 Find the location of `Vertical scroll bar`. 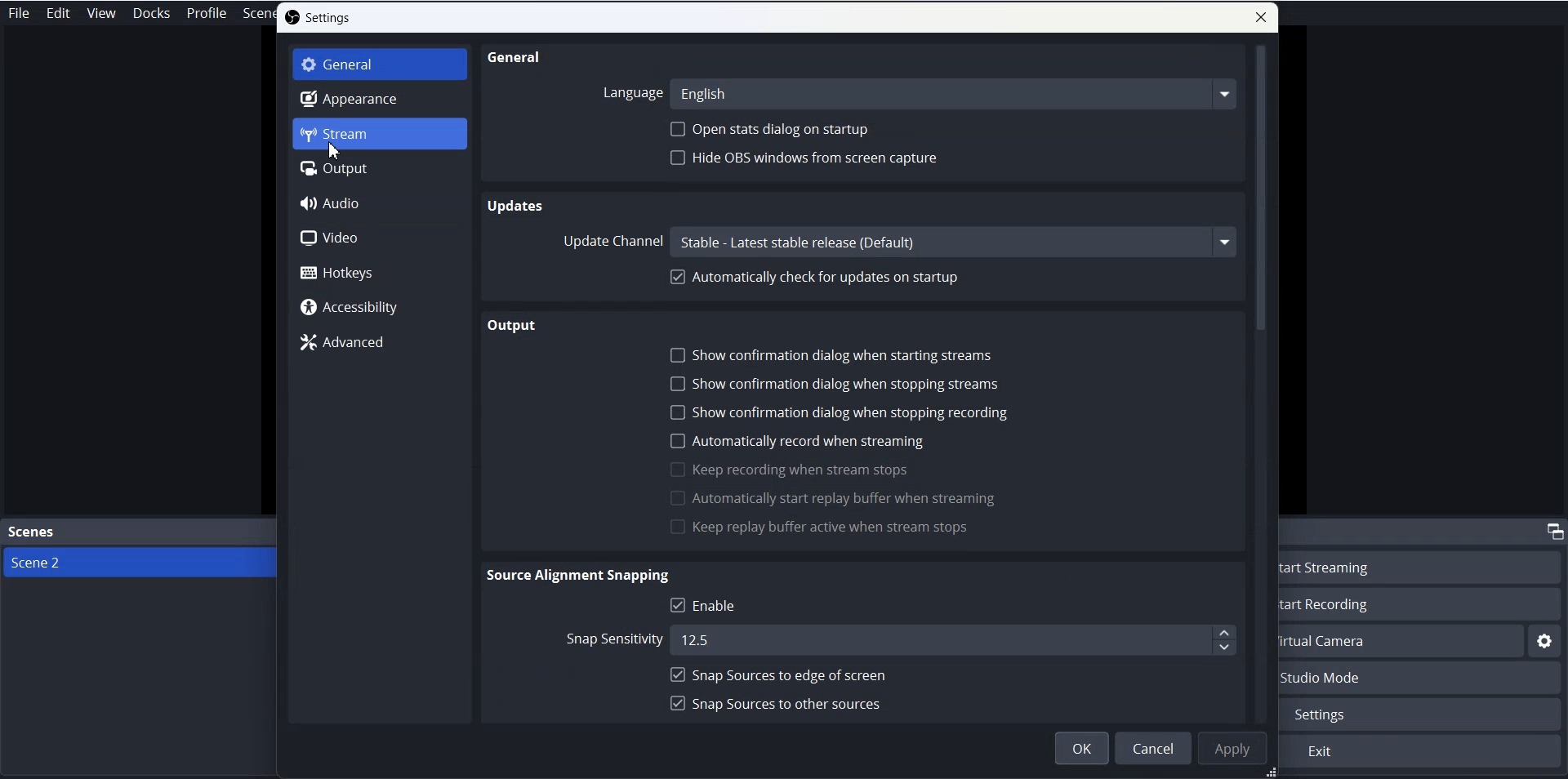

Vertical scroll bar is located at coordinates (1262, 384).